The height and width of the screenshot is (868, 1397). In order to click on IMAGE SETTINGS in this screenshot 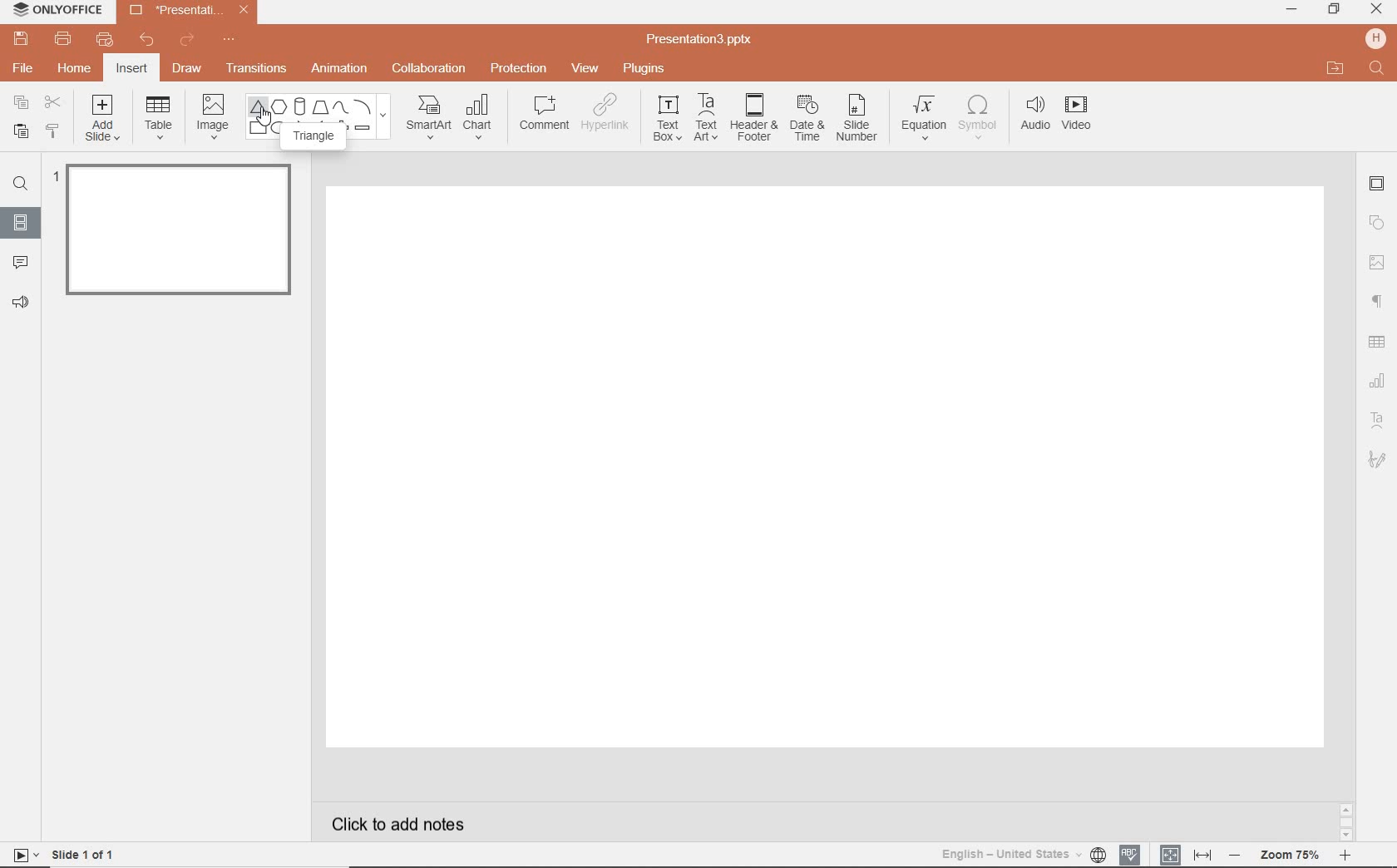, I will do `click(1377, 262)`.